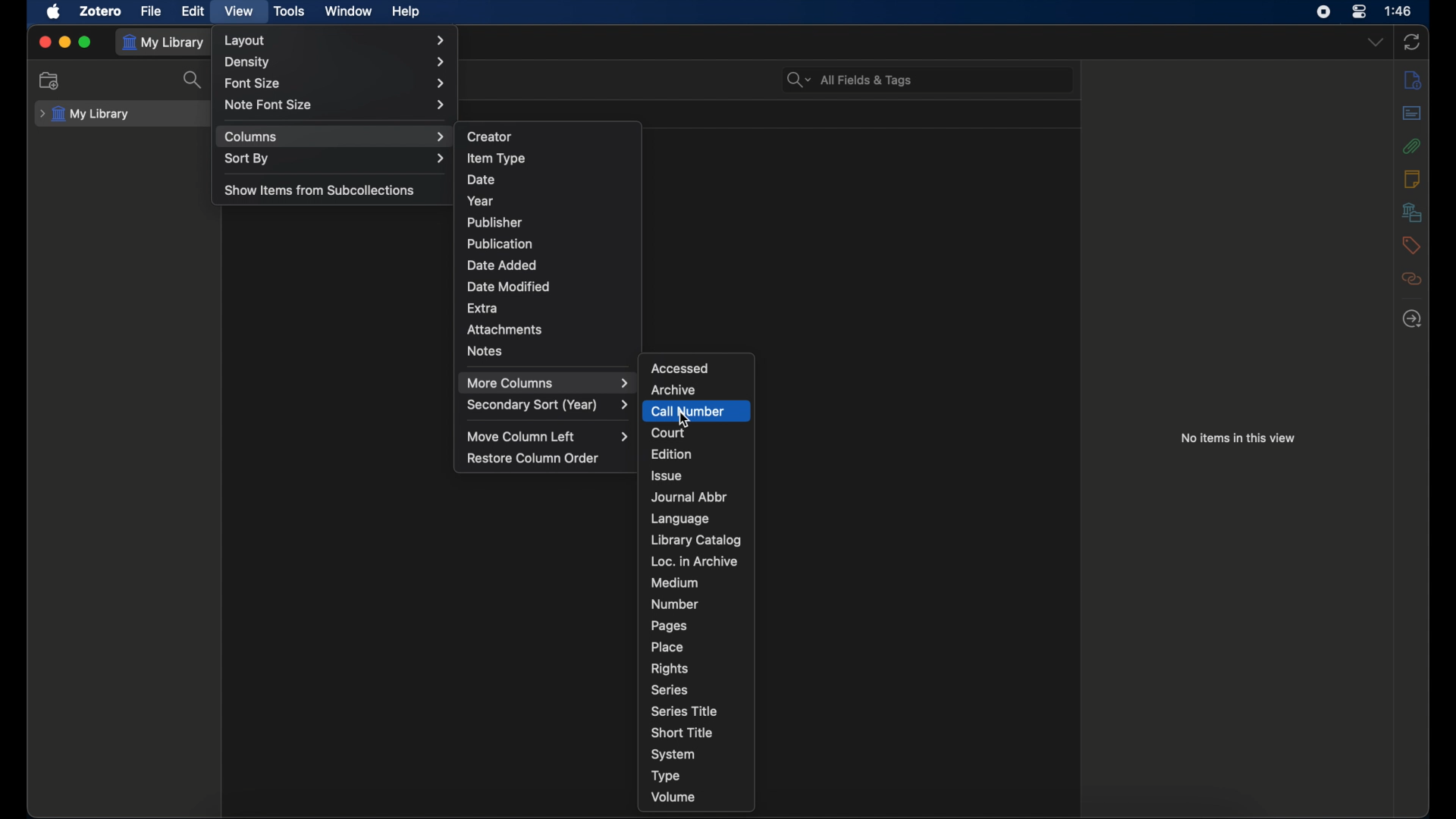 Image resolution: width=1456 pixels, height=819 pixels. What do you see at coordinates (194, 11) in the screenshot?
I see `edit` at bounding box center [194, 11].